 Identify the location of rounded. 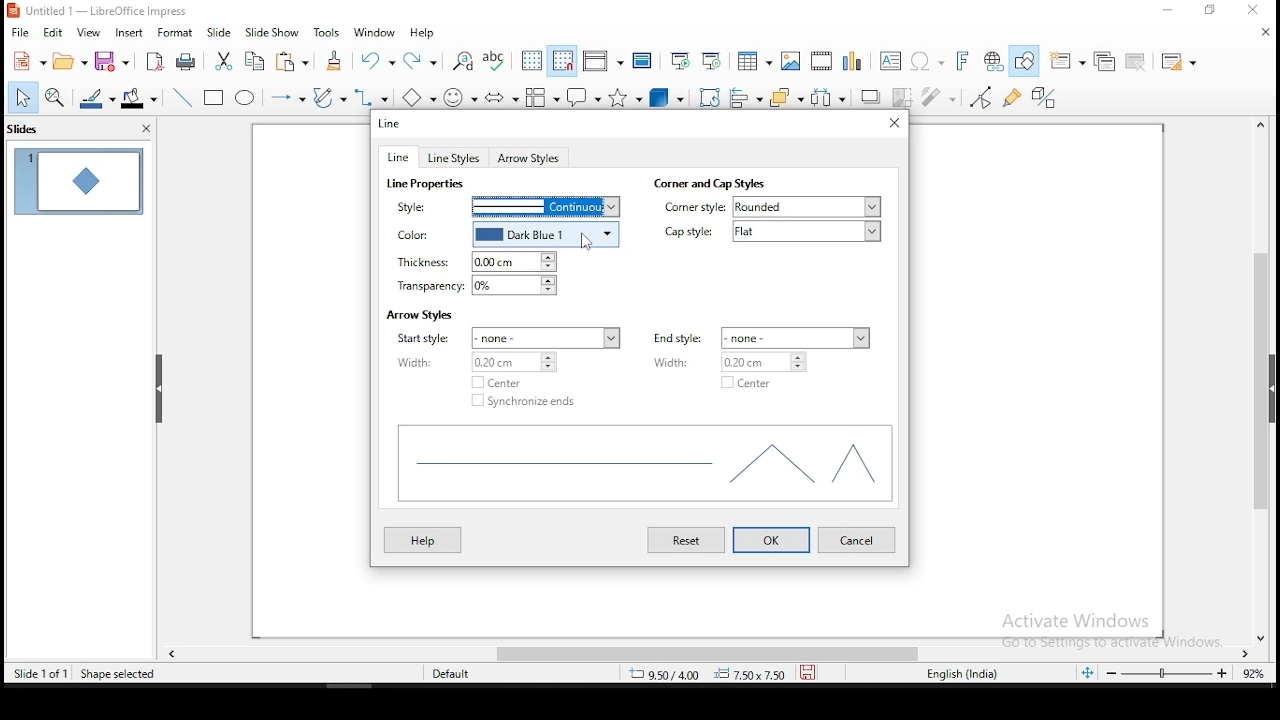
(804, 206).